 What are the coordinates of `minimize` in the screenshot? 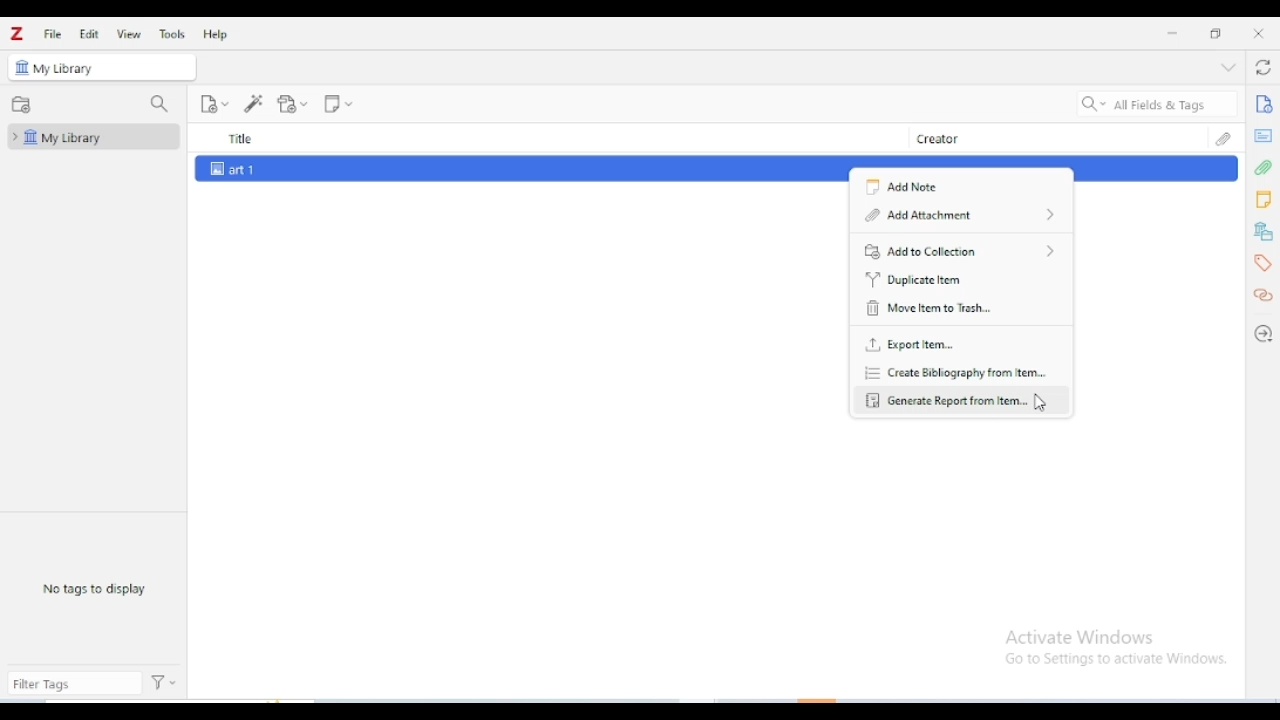 It's located at (1173, 33).